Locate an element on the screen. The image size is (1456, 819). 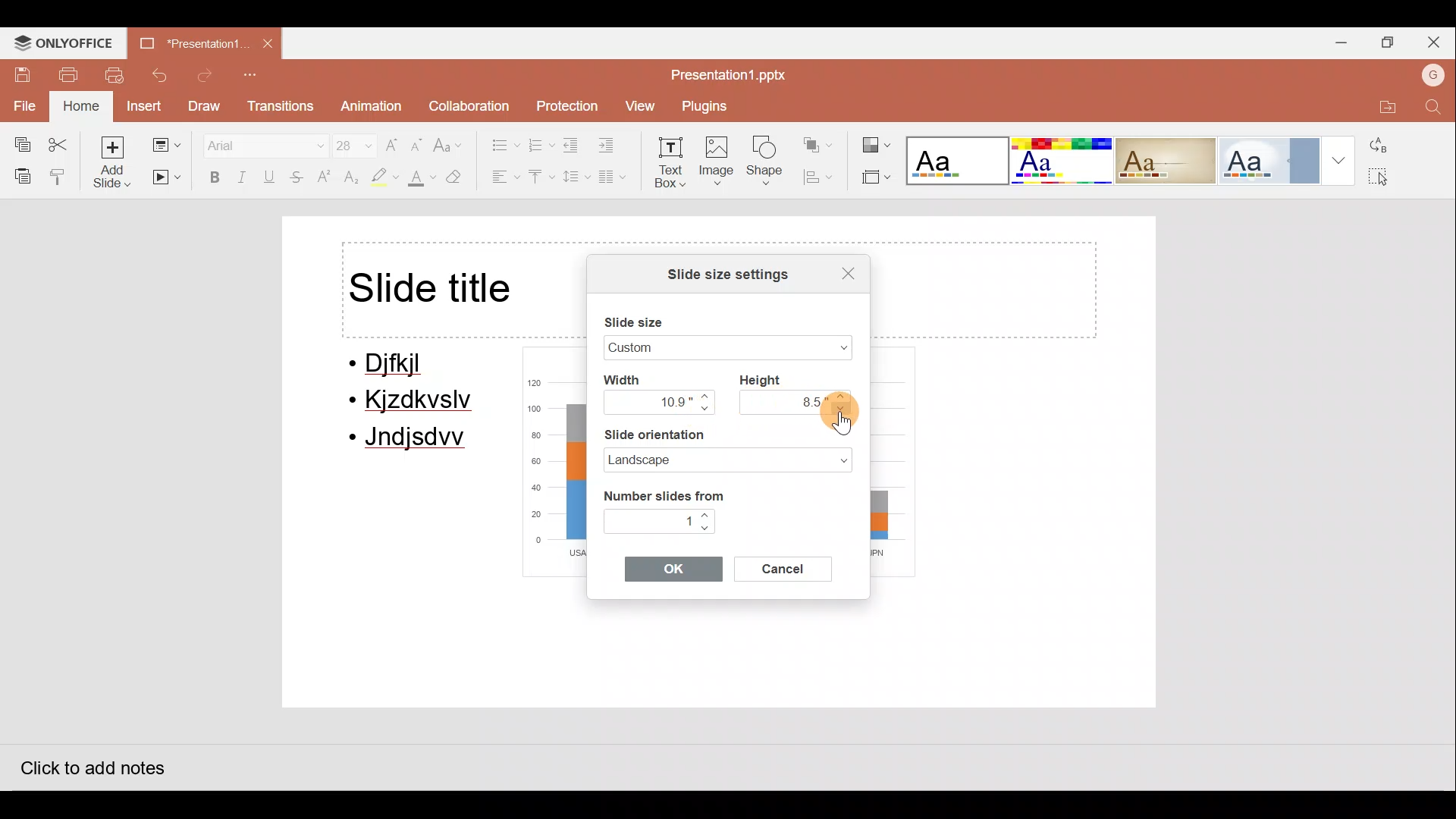
Insert is located at coordinates (143, 105).